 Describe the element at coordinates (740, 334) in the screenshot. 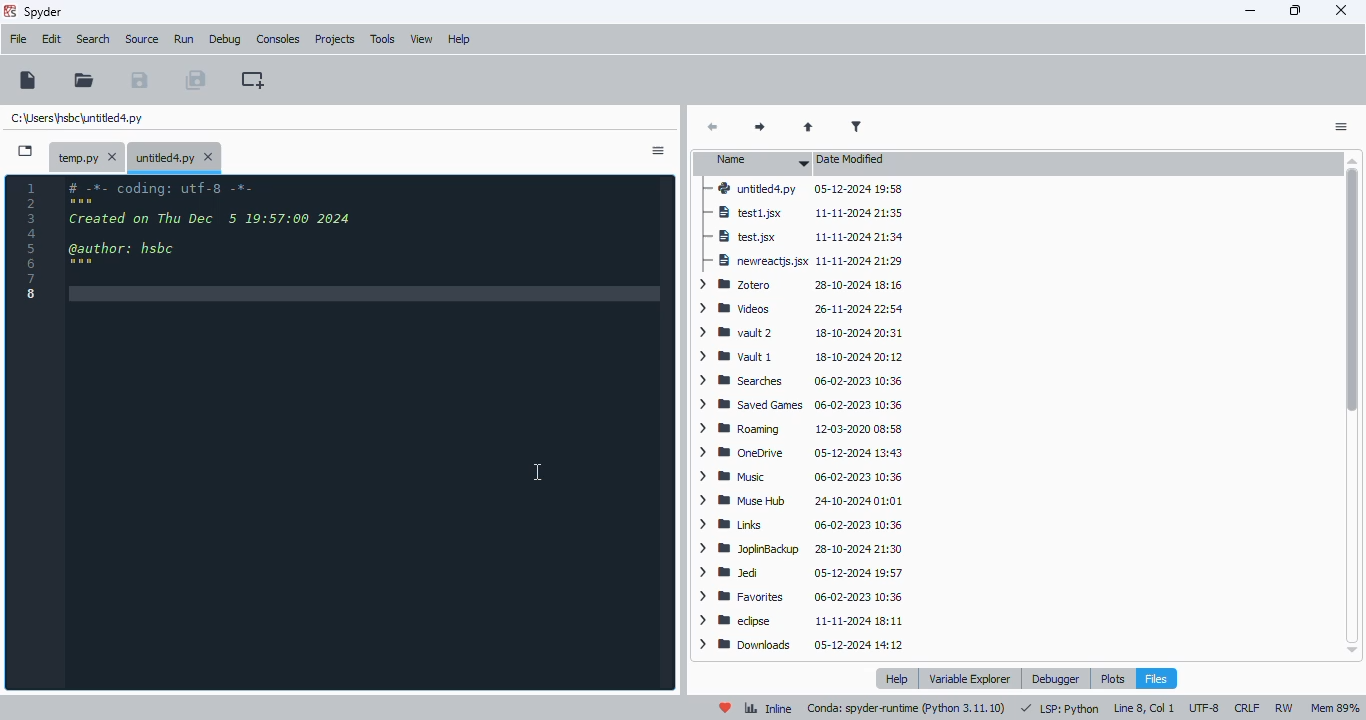

I see `vault 2 ` at that location.